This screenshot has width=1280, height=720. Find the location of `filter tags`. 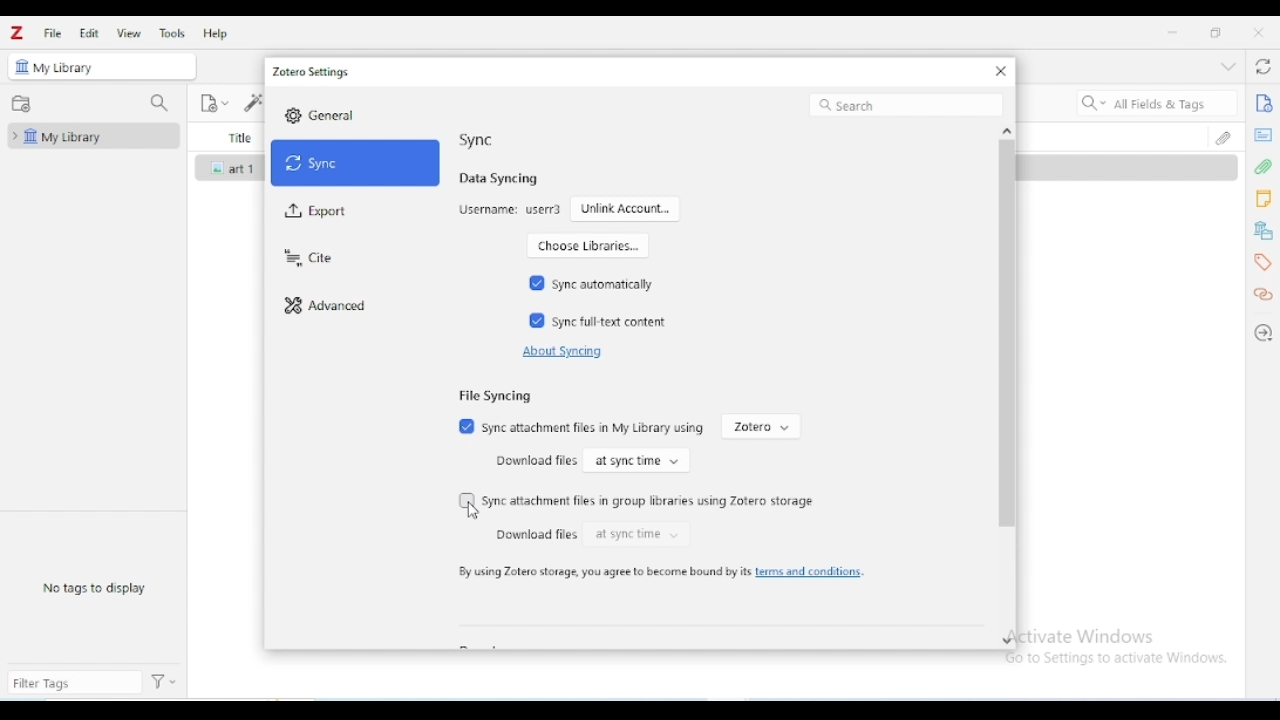

filter tags is located at coordinates (74, 682).